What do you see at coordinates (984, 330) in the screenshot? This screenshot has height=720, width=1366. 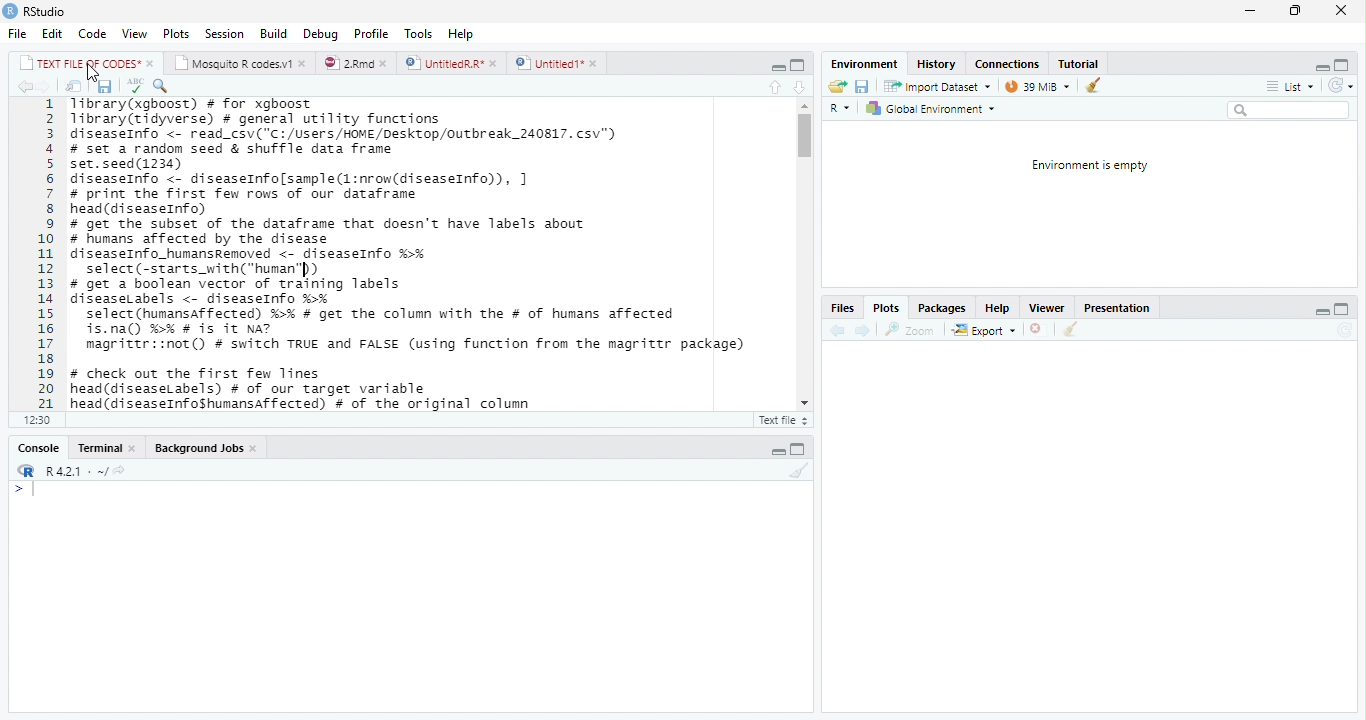 I see `Export` at bounding box center [984, 330].